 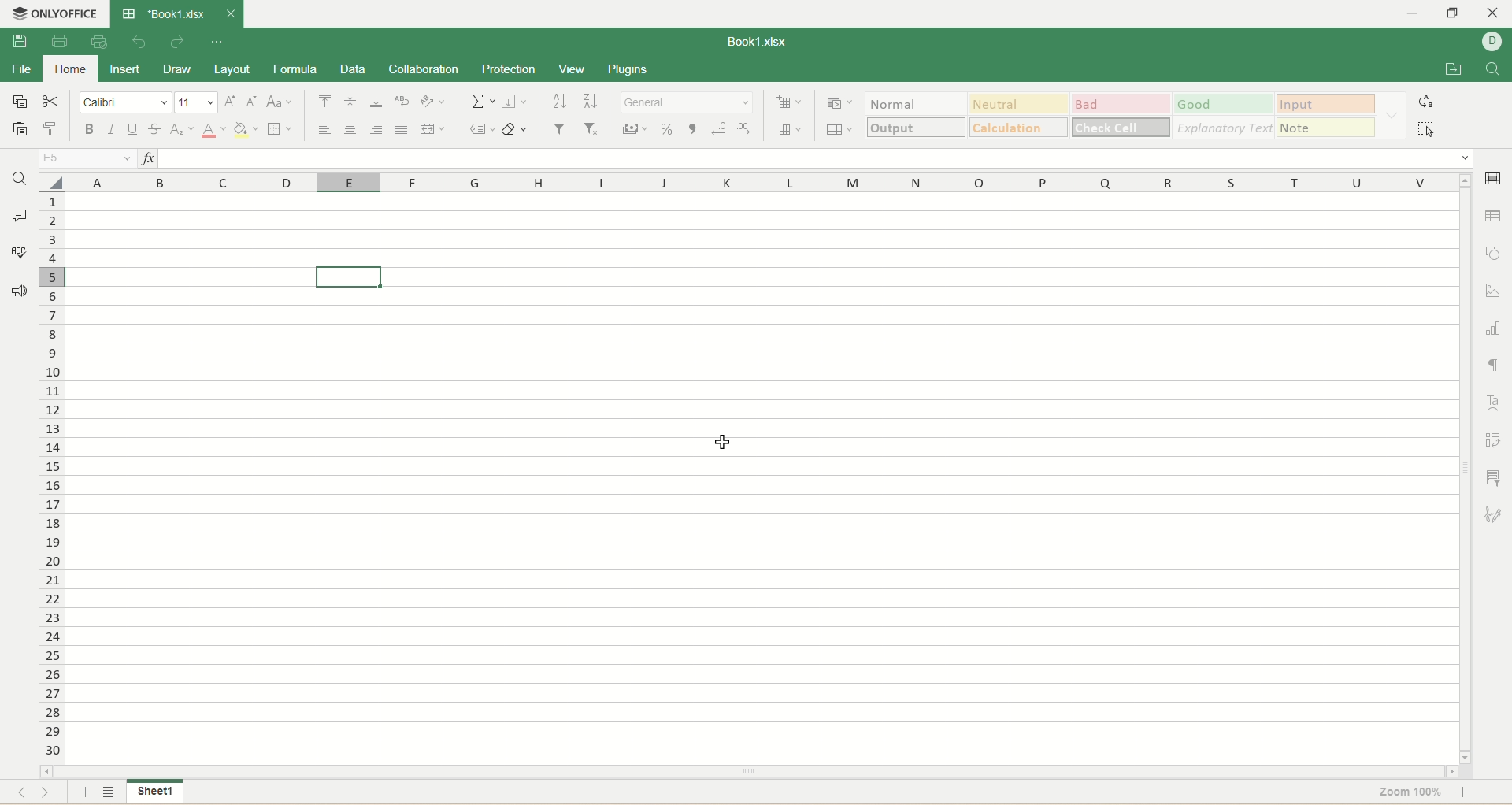 What do you see at coordinates (1494, 69) in the screenshot?
I see `find` at bounding box center [1494, 69].